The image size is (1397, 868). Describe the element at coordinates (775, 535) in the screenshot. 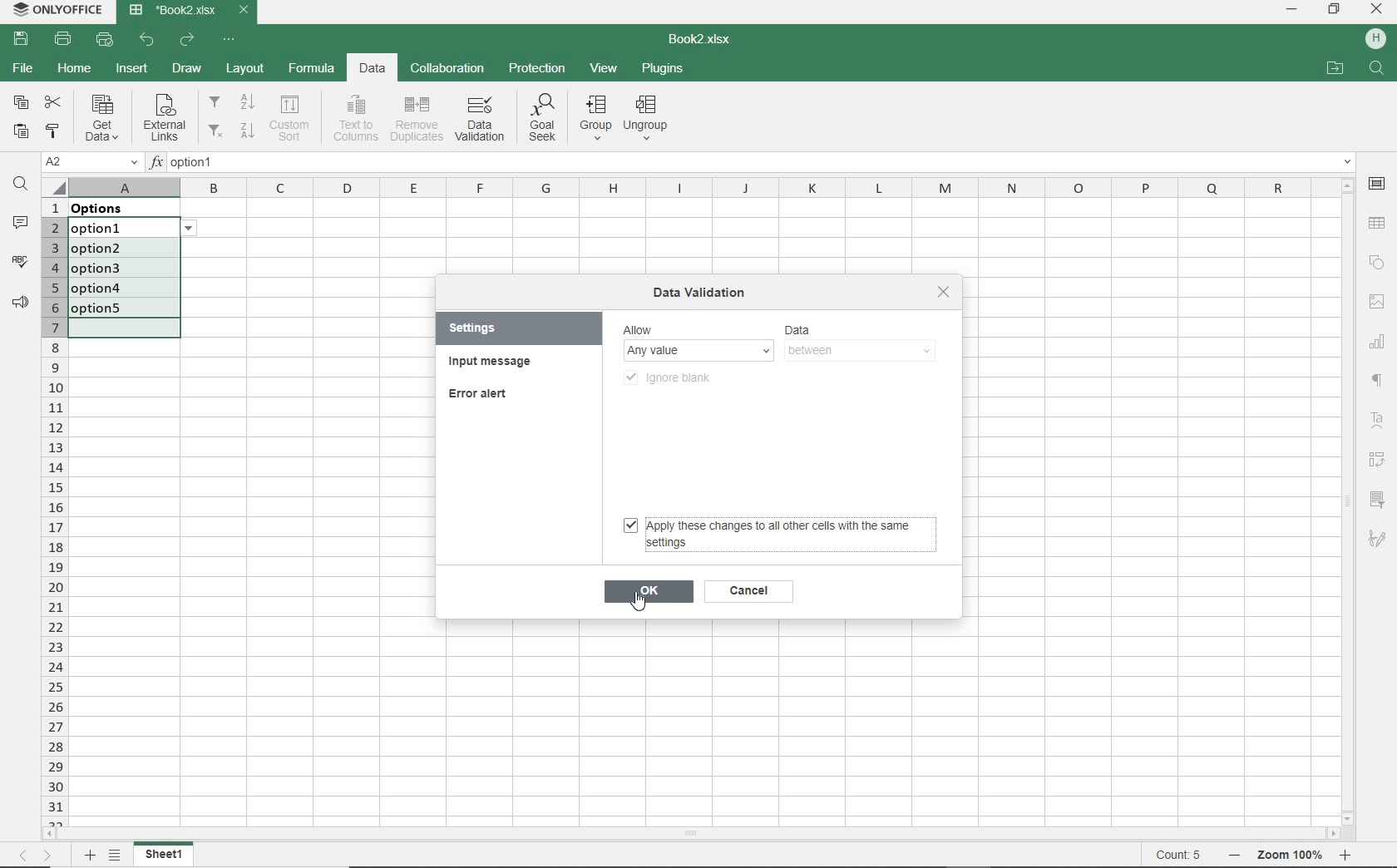

I see `apply these changes to all other cells with the same settings` at that location.